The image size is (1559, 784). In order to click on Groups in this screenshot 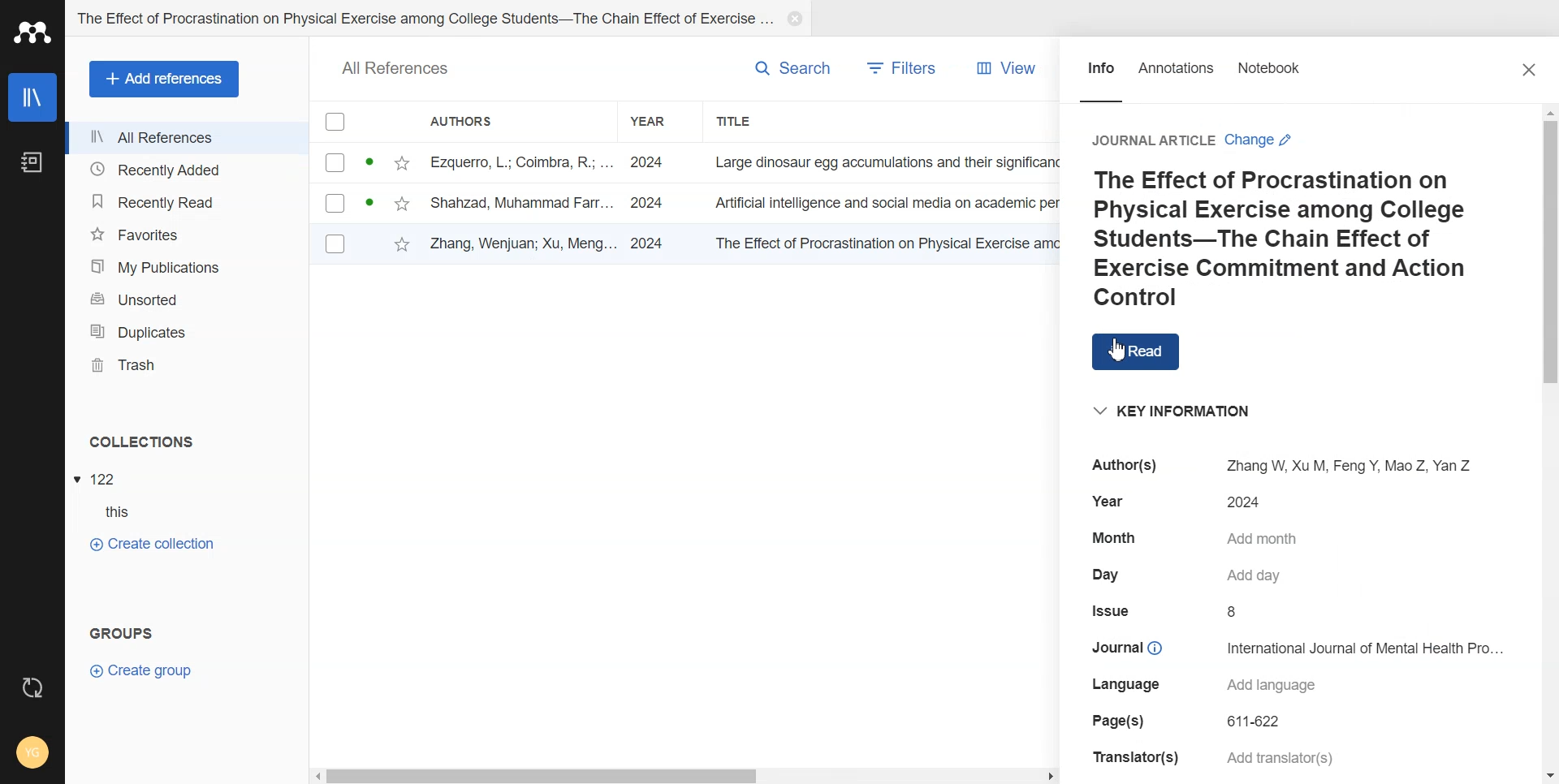, I will do `click(118, 632)`.